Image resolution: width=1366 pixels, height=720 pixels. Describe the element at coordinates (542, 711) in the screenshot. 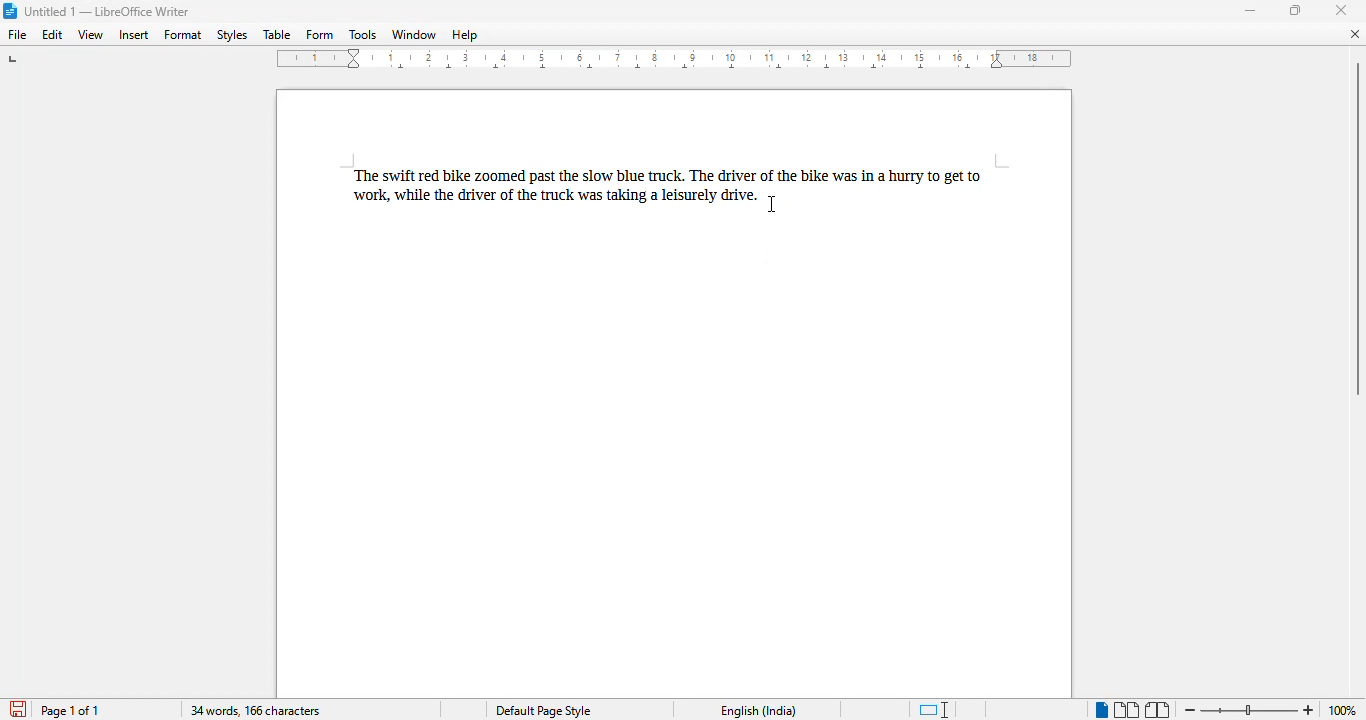

I see `Default page style` at that location.